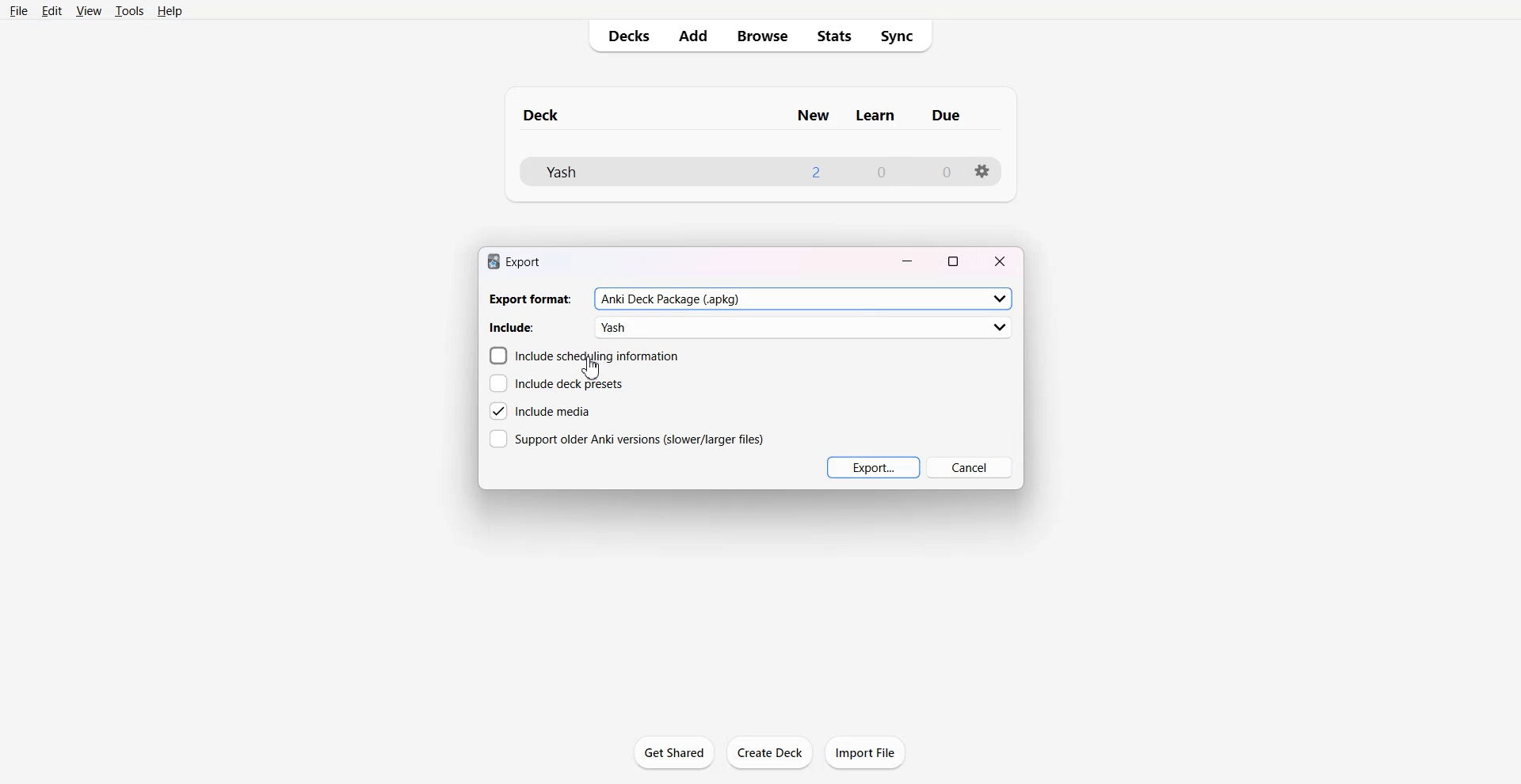  I want to click on Include media, so click(541, 411).